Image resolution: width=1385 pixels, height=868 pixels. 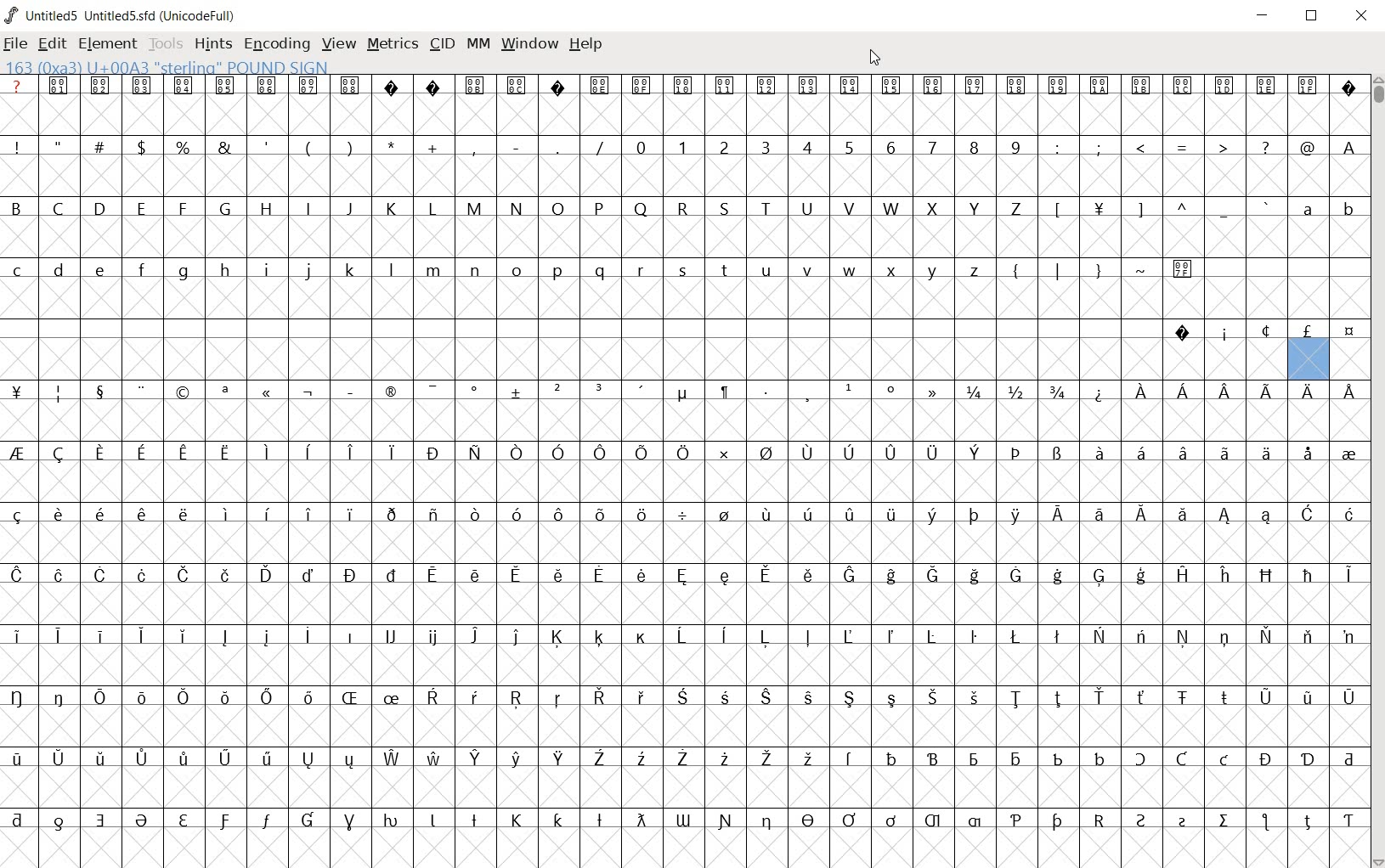 What do you see at coordinates (308, 637) in the screenshot?
I see `Symbol` at bounding box center [308, 637].